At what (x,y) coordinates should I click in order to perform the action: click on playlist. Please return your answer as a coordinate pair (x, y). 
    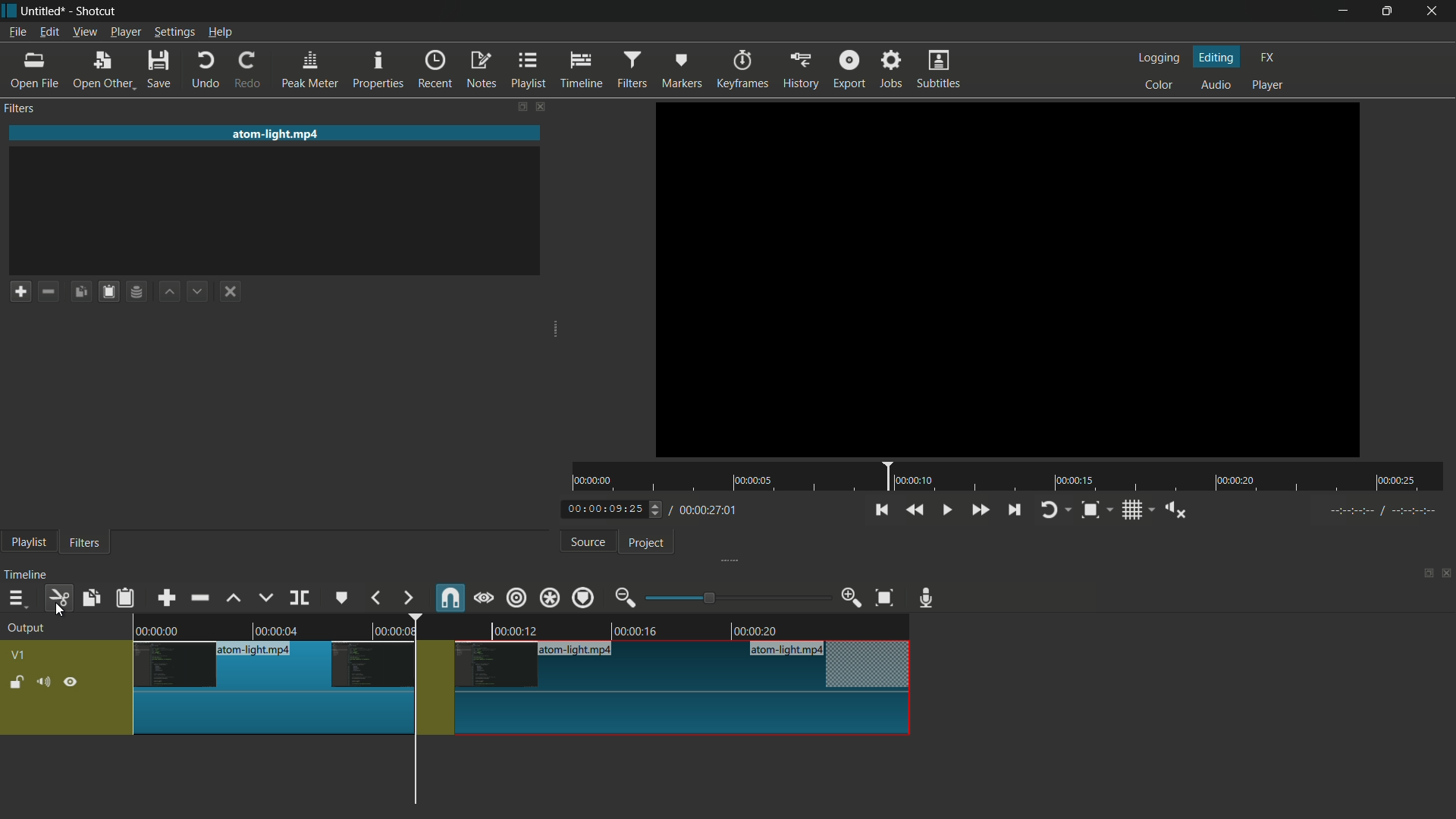
    Looking at the image, I should click on (529, 71).